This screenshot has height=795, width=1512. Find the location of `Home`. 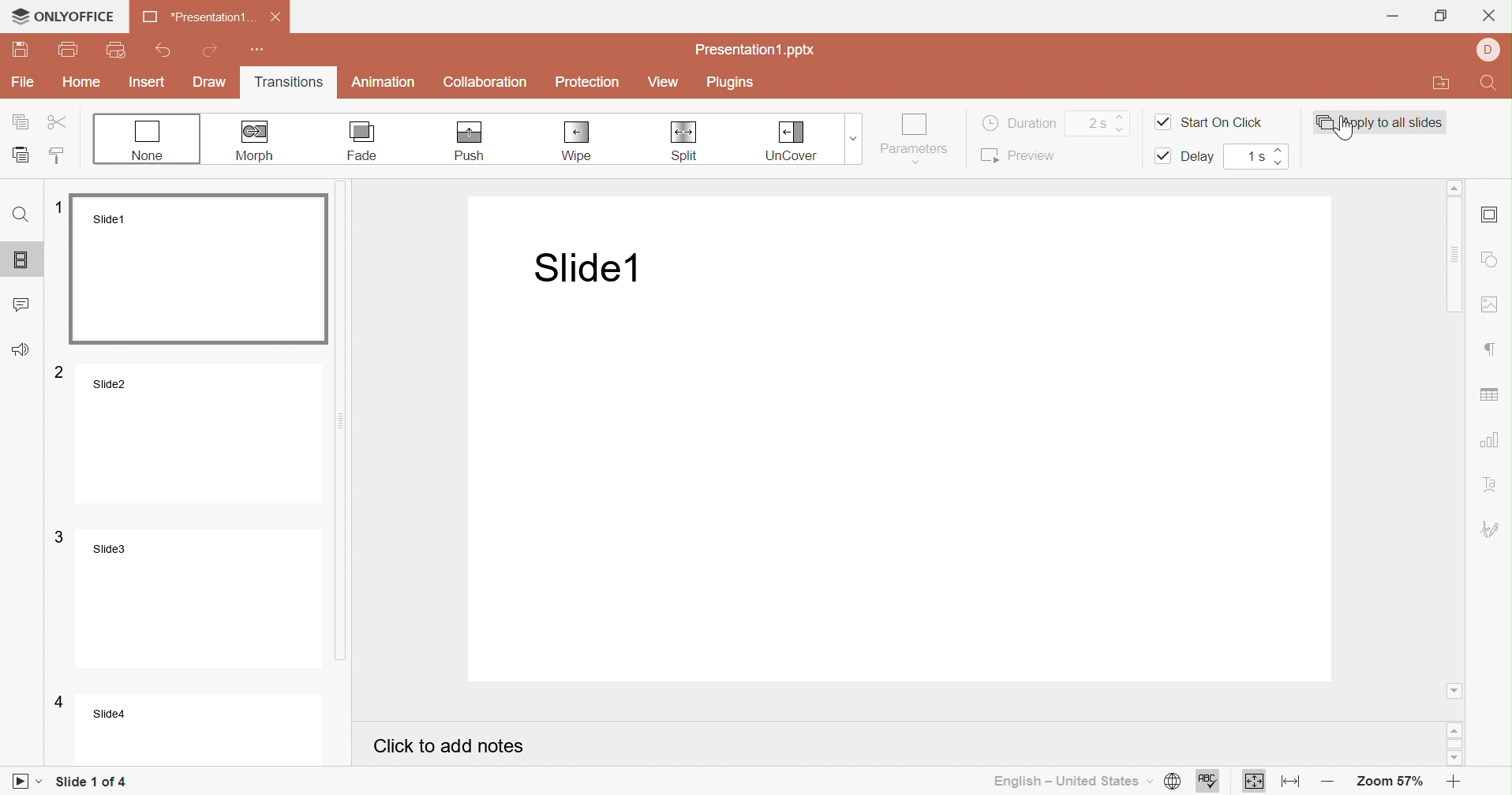

Home is located at coordinates (80, 81).